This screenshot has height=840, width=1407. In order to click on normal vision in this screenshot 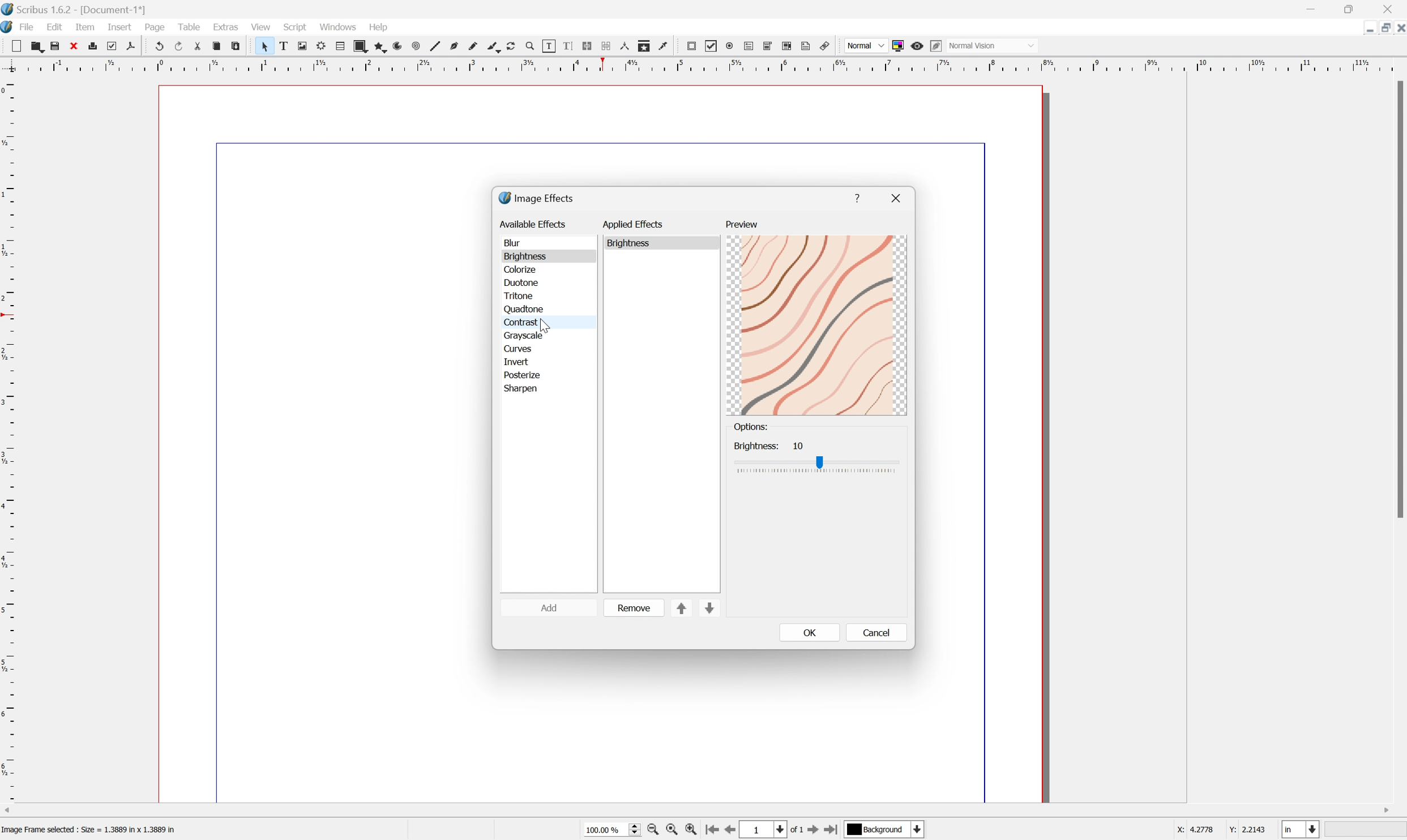, I will do `click(973, 44)`.